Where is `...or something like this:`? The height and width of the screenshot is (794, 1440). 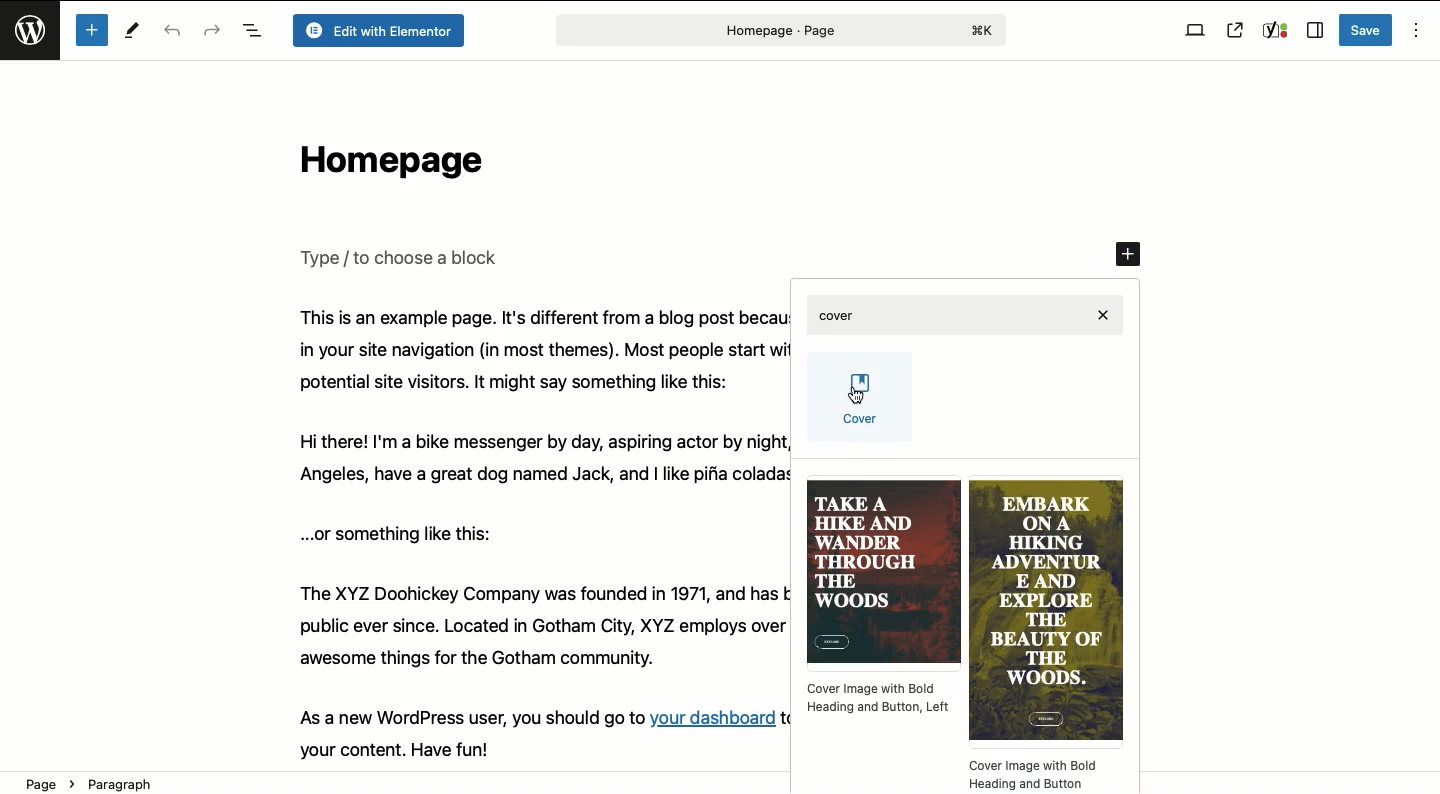 ...or something like this: is located at coordinates (404, 533).